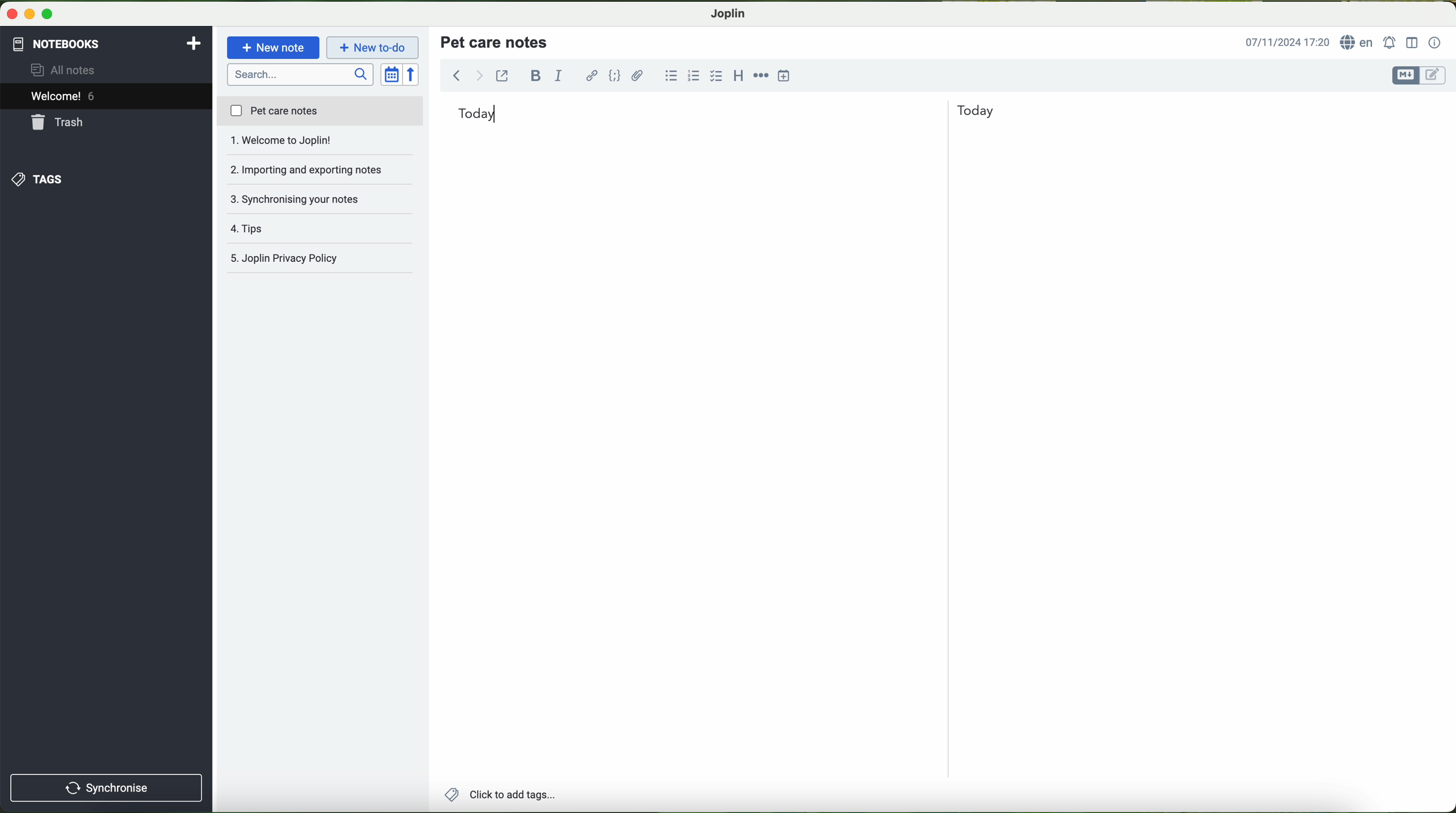 Image resolution: width=1456 pixels, height=813 pixels. What do you see at coordinates (739, 75) in the screenshot?
I see `heading` at bounding box center [739, 75].